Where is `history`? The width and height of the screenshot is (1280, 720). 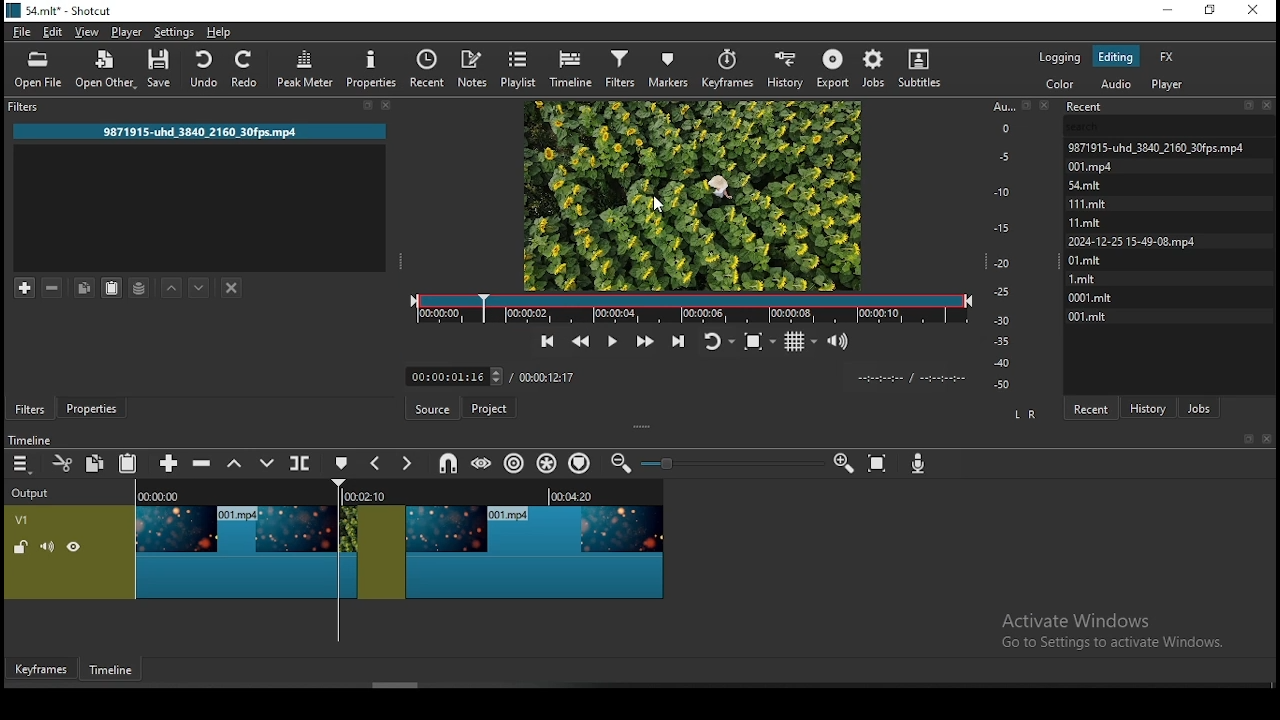 history is located at coordinates (1150, 407).